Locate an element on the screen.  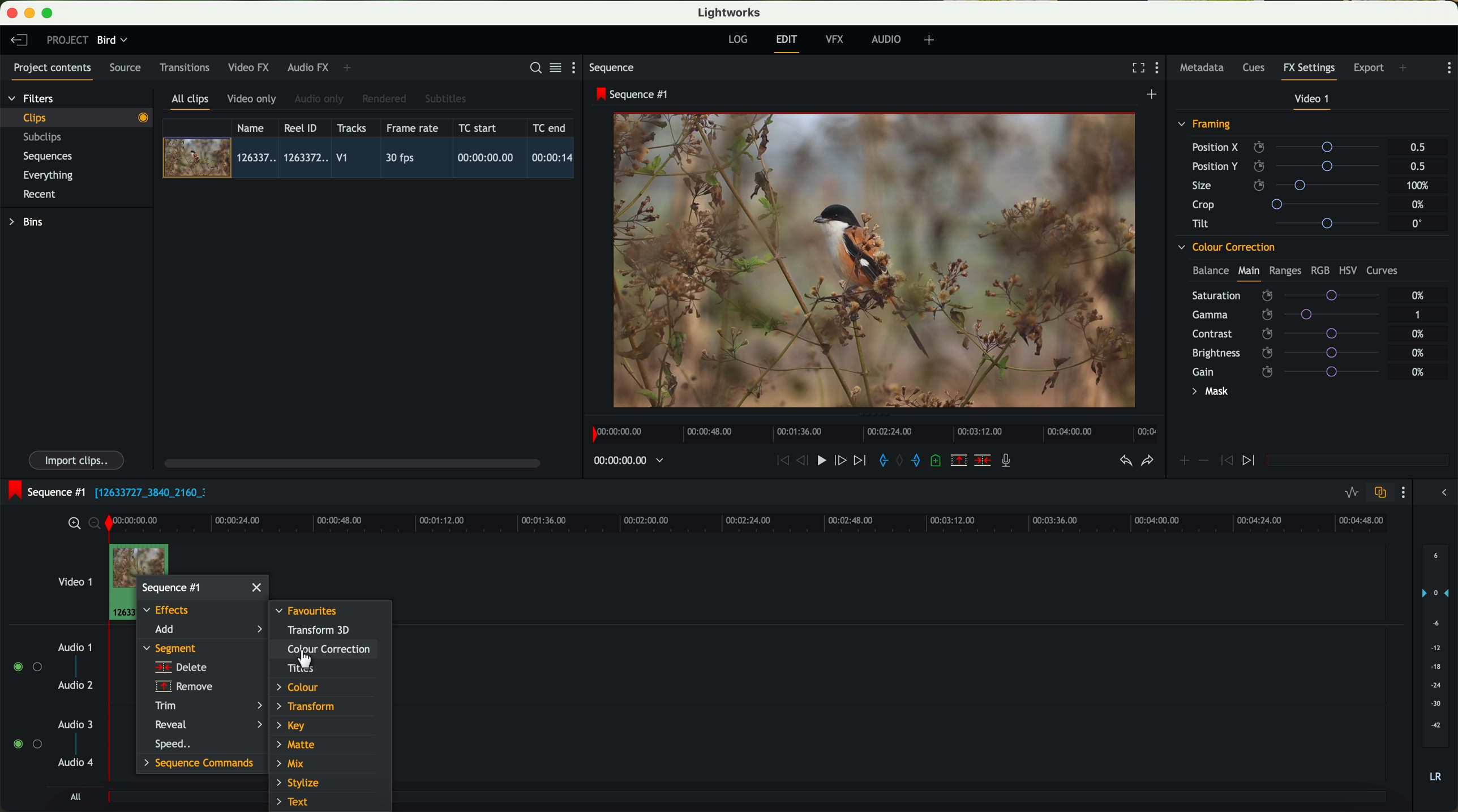
add 'in' mark is located at coordinates (880, 462).